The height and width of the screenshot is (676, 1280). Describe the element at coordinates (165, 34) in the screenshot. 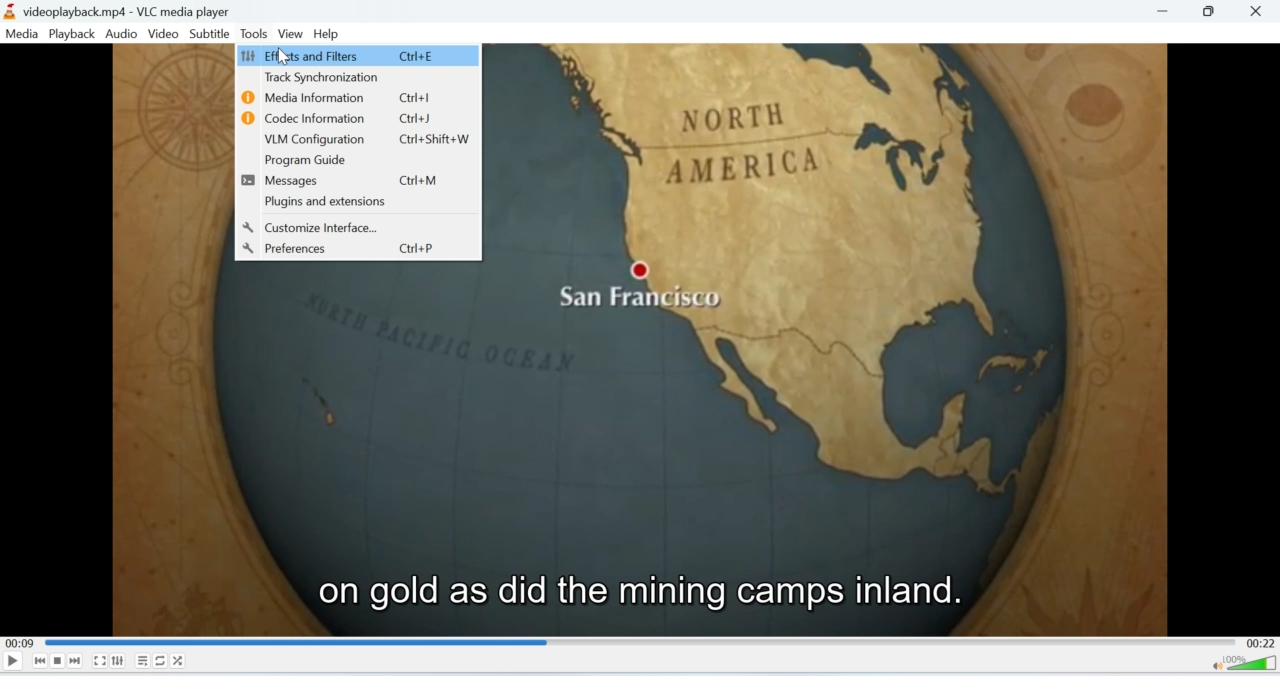

I see `Video` at that location.